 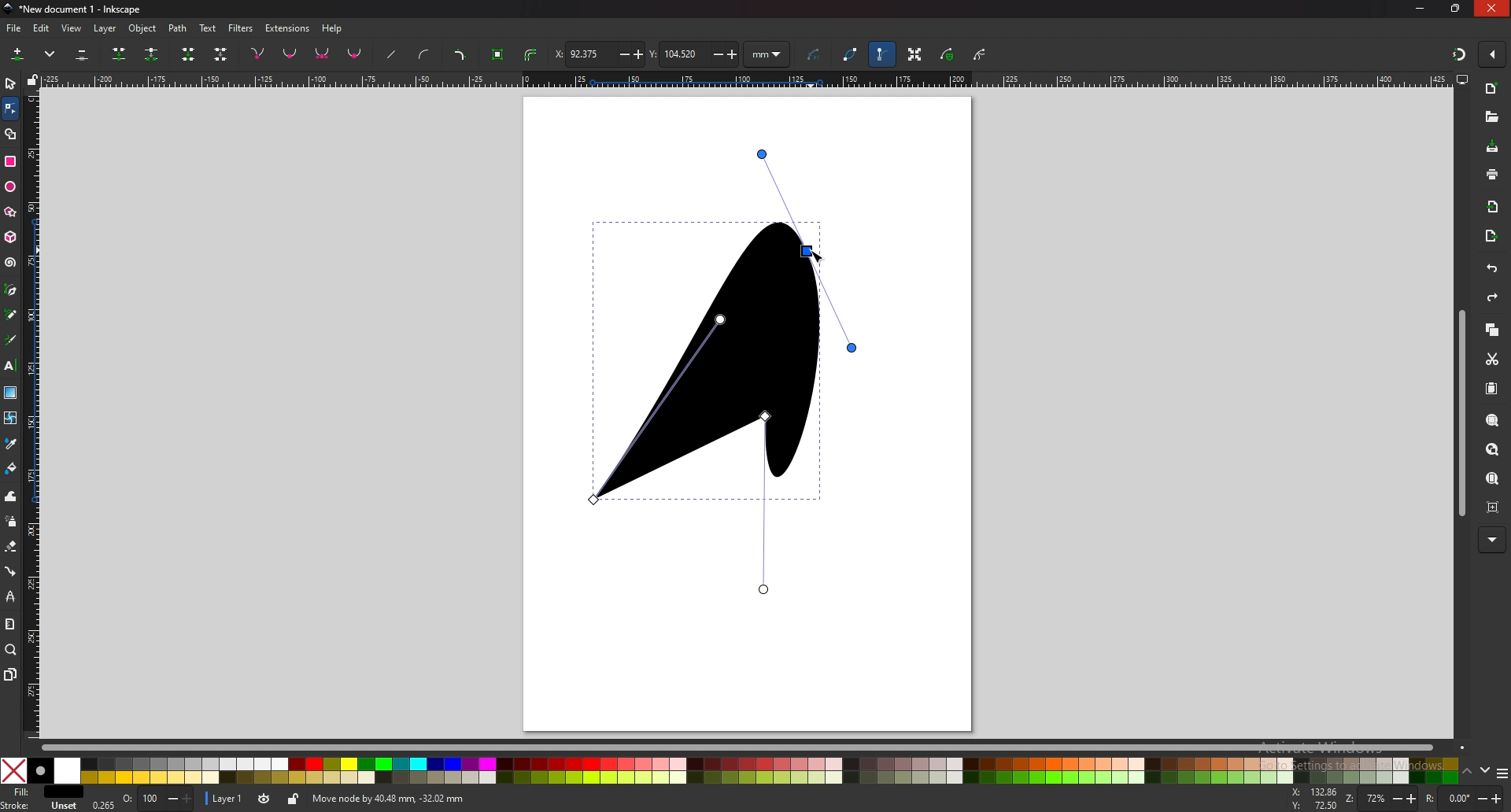 I want to click on cursor coordinates, so click(x=1314, y=799).